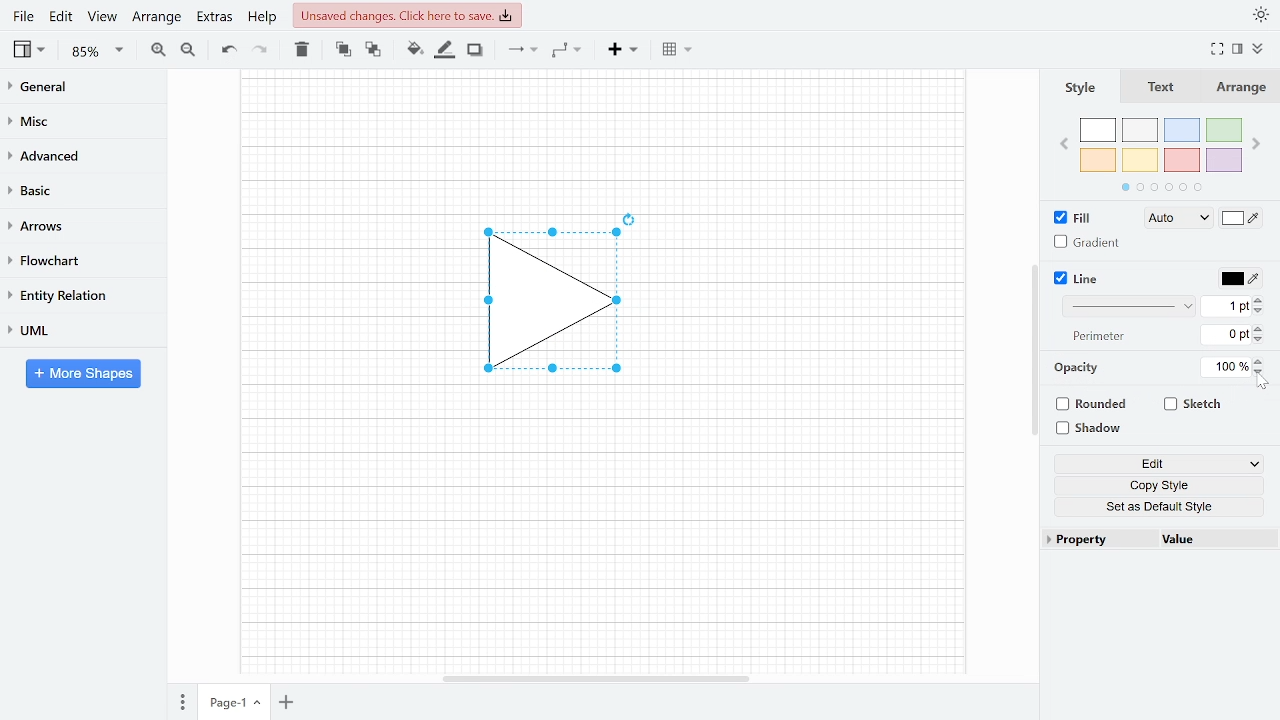  Describe the element at coordinates (1261, 297) in the screenshot. I see `INcrease line width` at that location.